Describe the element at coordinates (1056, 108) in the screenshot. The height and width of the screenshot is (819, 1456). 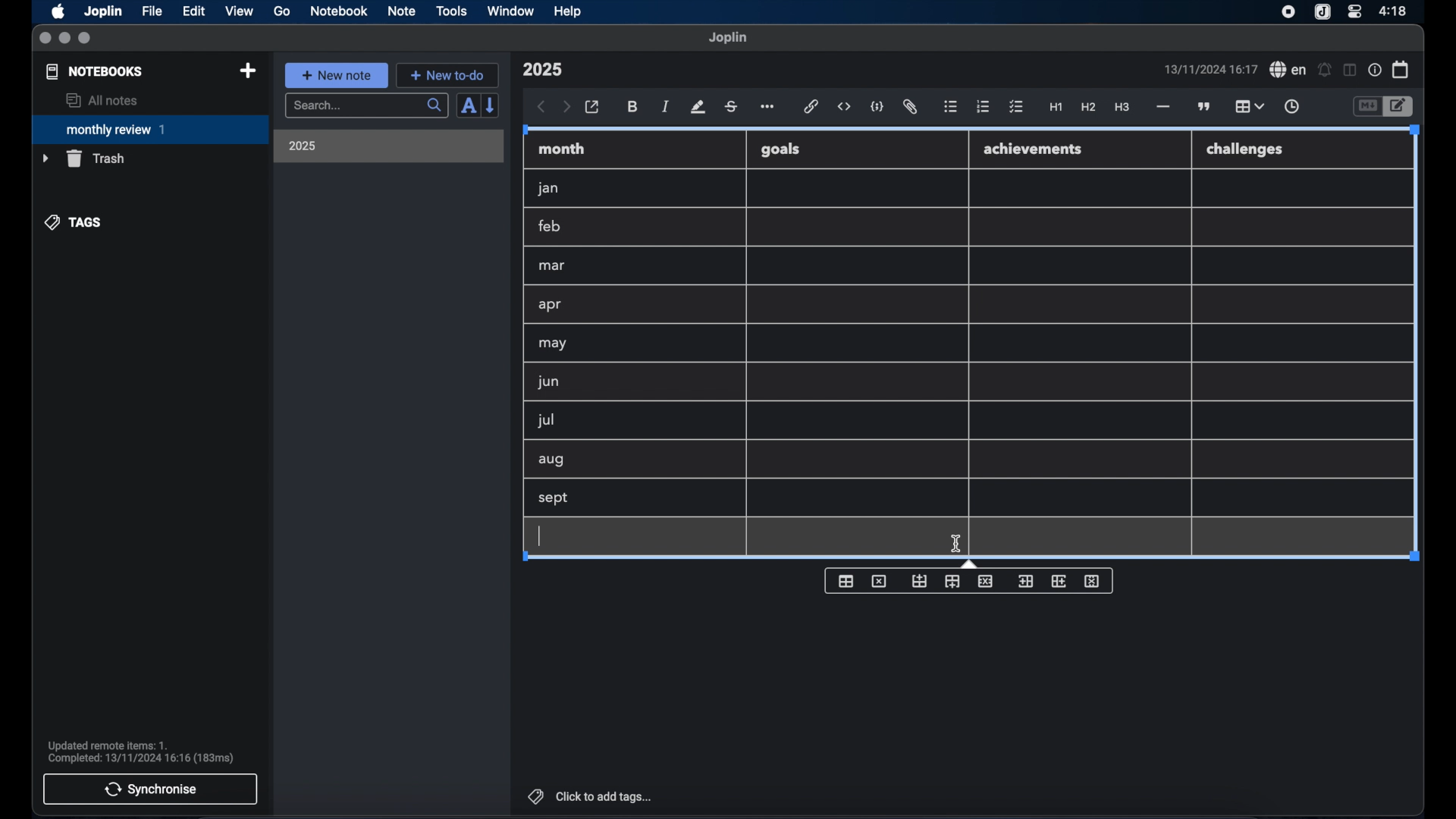
I see `heading 1` at that location.